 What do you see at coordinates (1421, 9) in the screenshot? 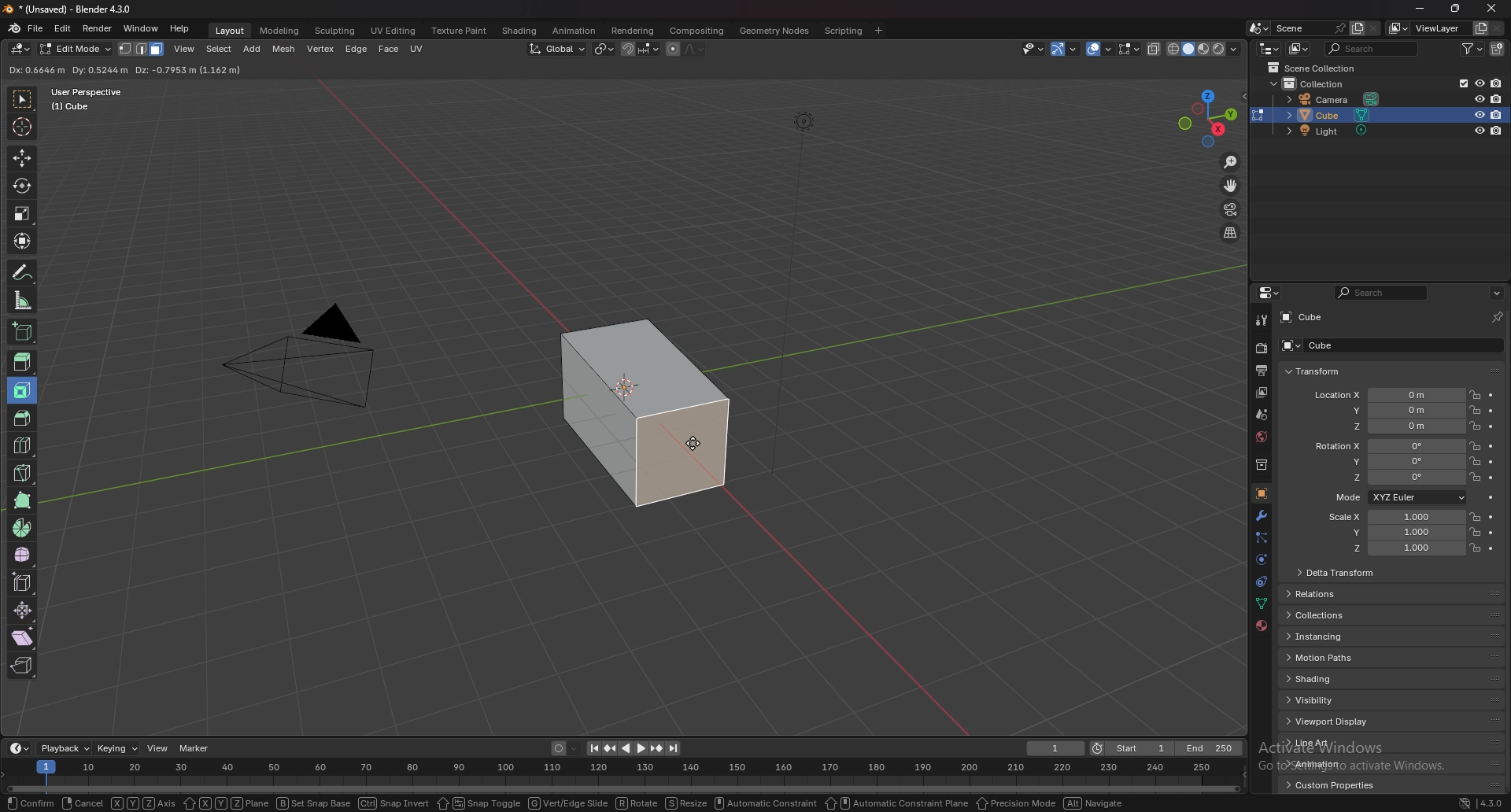
I see `minimize` at bounding box center [1421, 9].